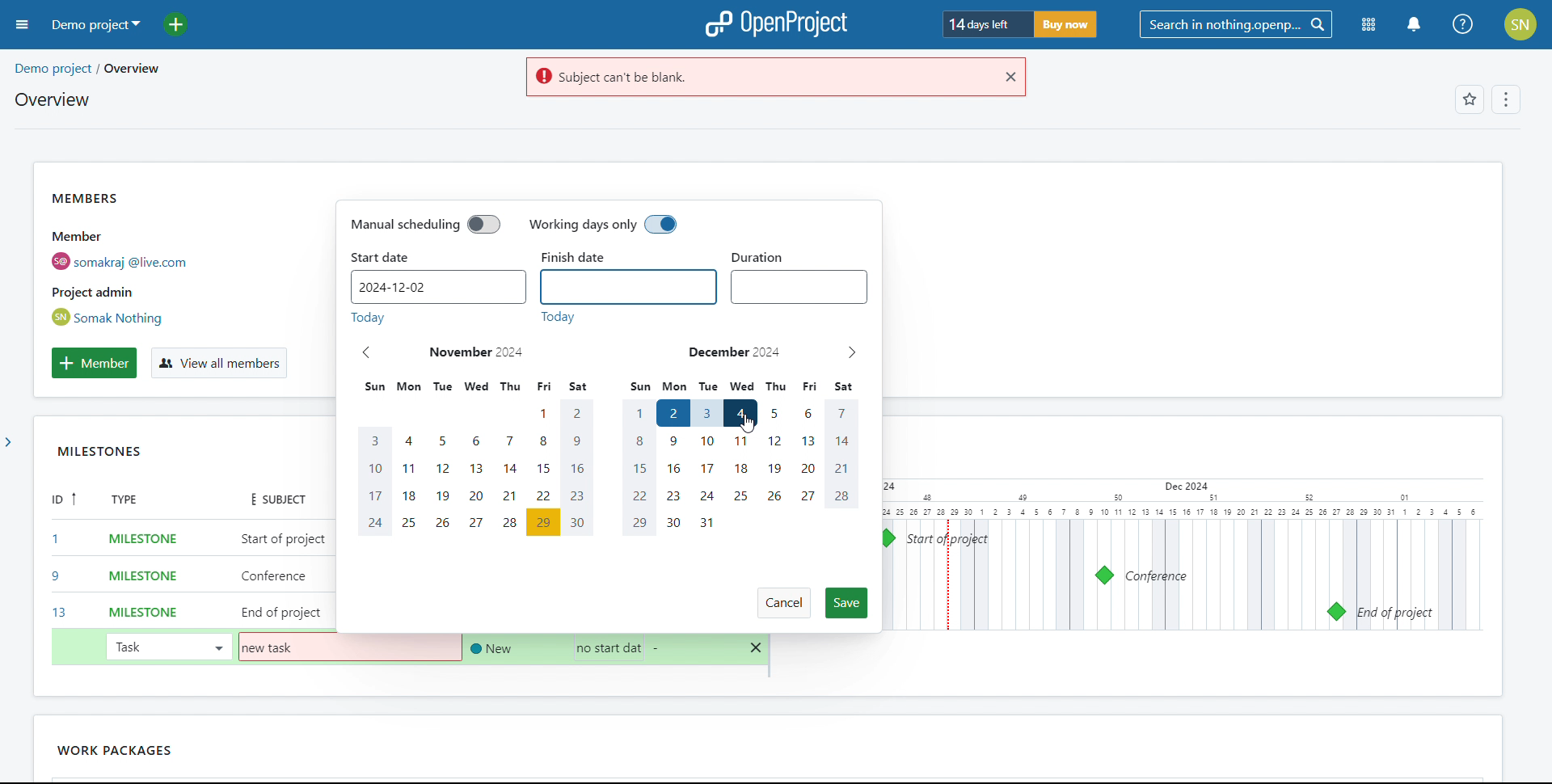 This screenshot has height=784, width=1552. I want to click on manual scheduling, so click(424, 224).